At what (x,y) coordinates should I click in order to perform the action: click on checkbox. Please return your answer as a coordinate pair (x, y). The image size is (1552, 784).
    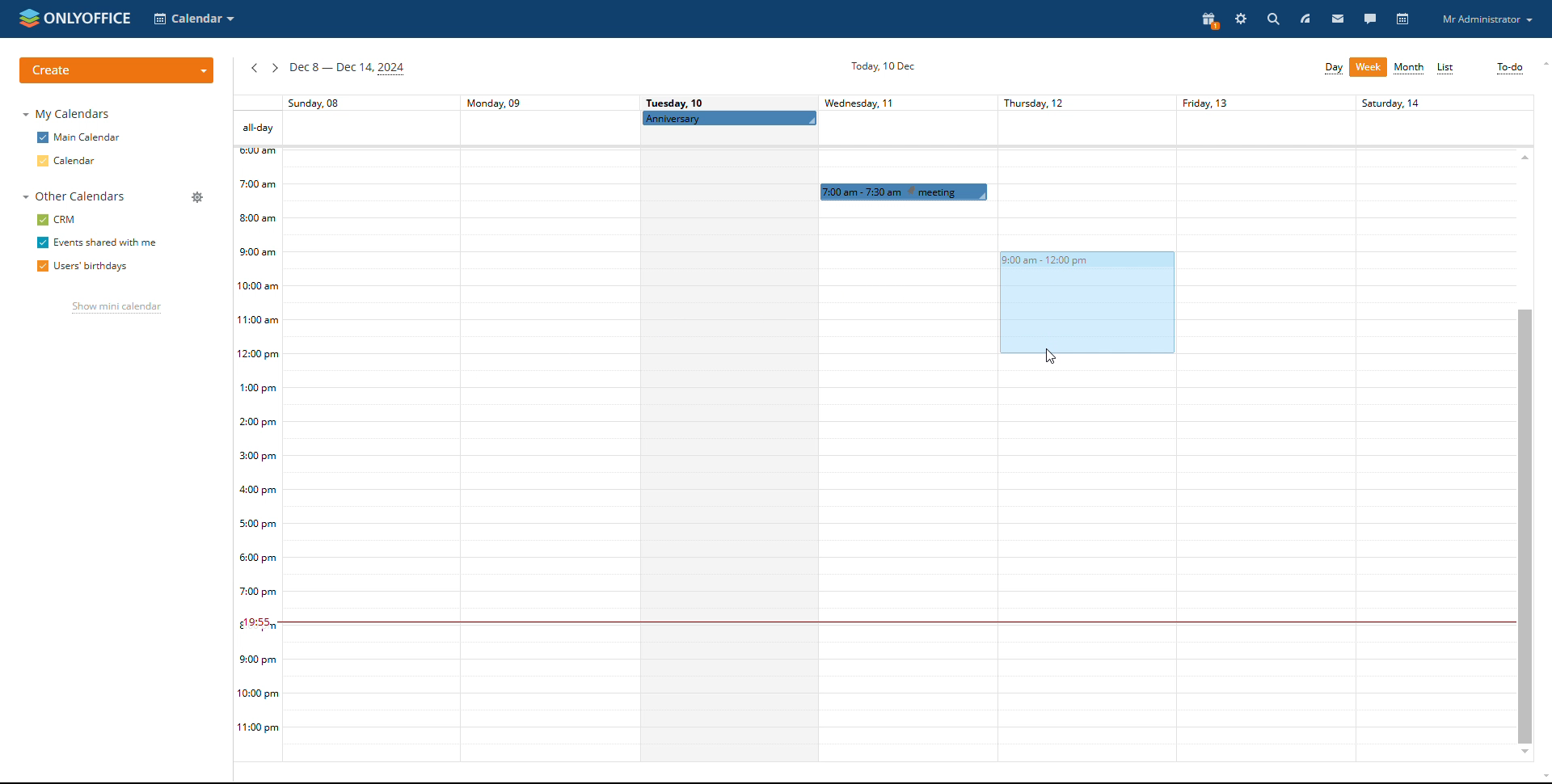
    Looking at the image, I should click on (41, 219).